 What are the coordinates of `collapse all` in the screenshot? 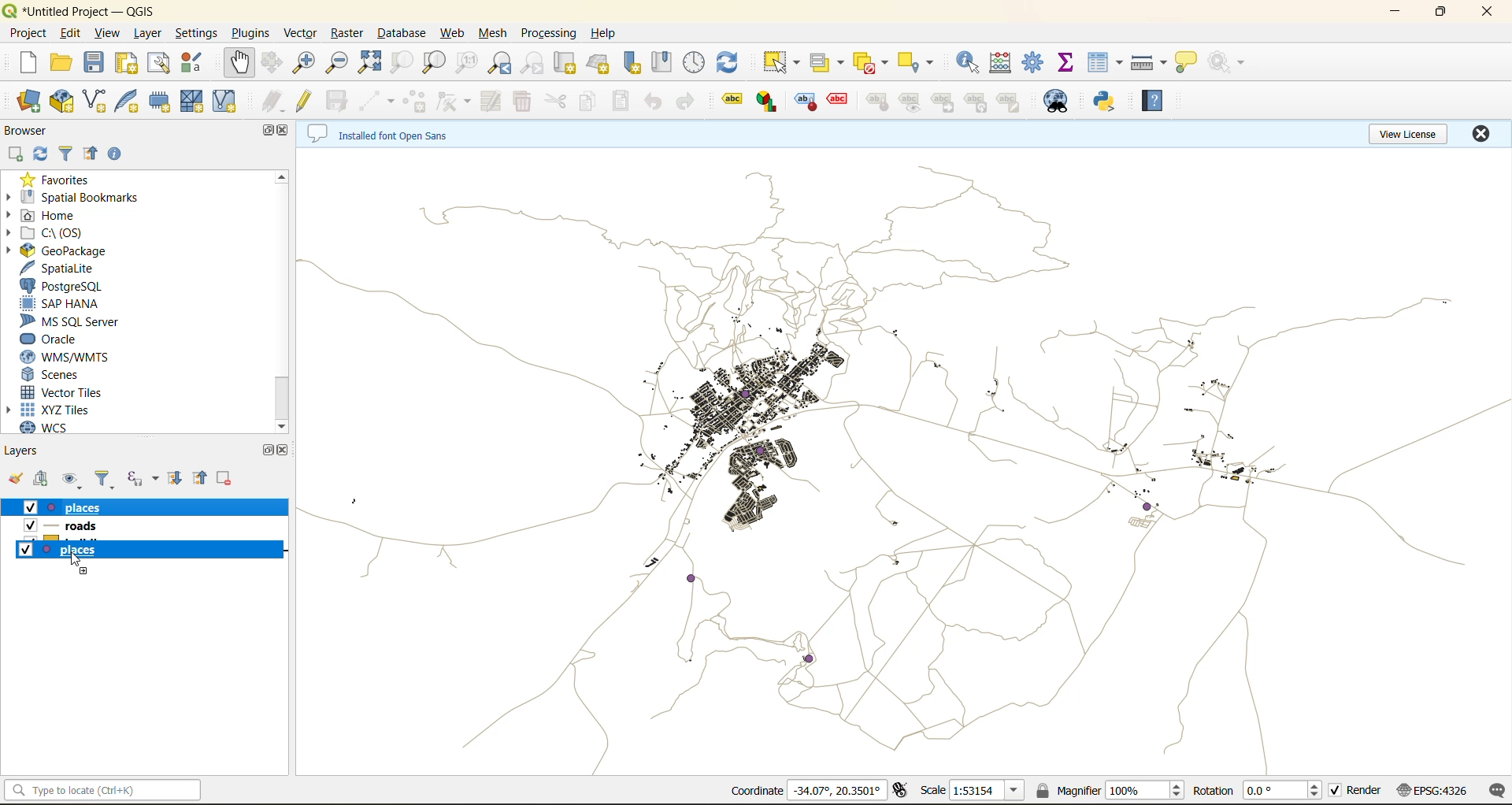 It's located at (93, 155).